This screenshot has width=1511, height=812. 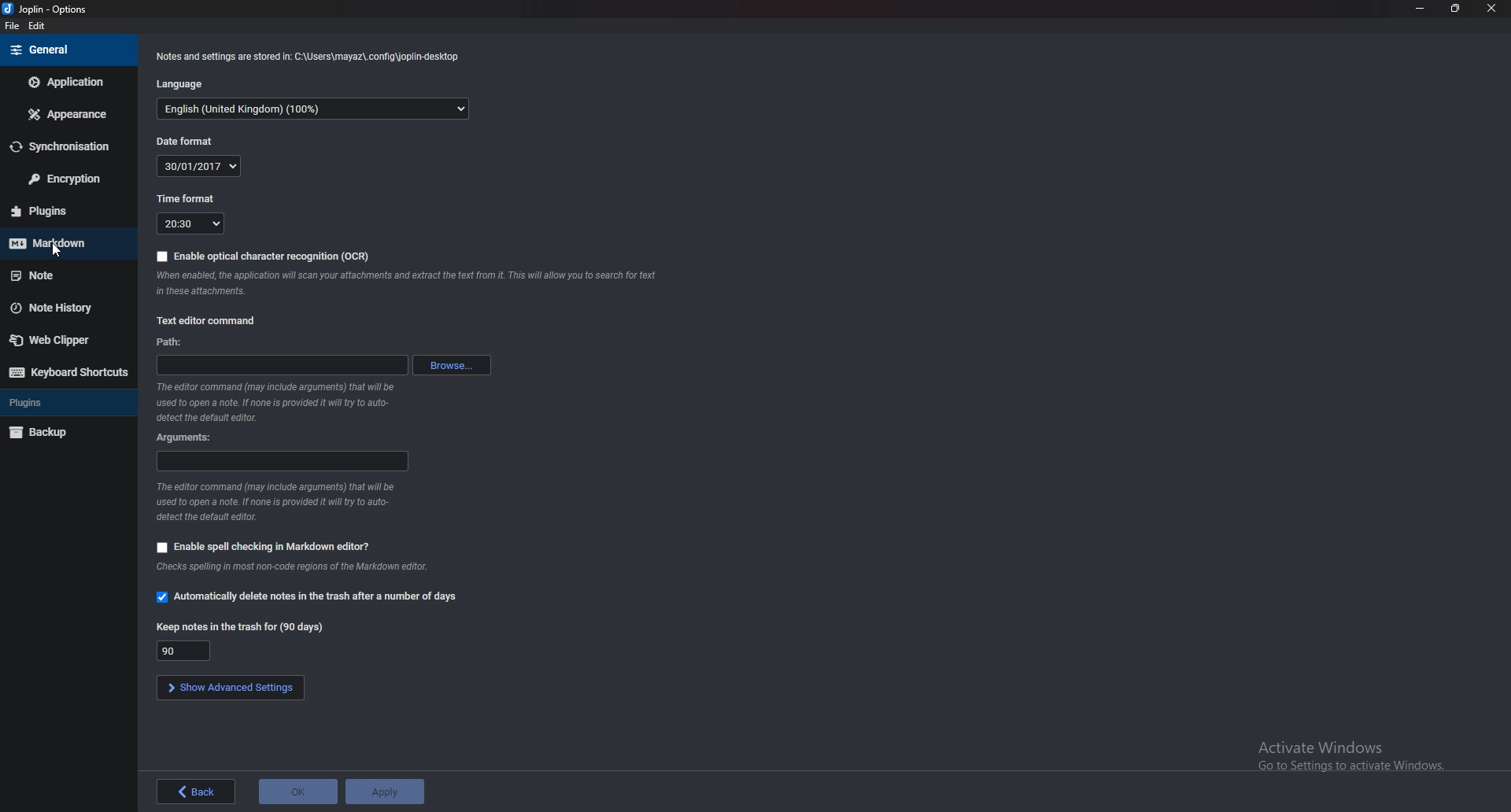 I want to click on Text editor command, so click(x=204, y=321).